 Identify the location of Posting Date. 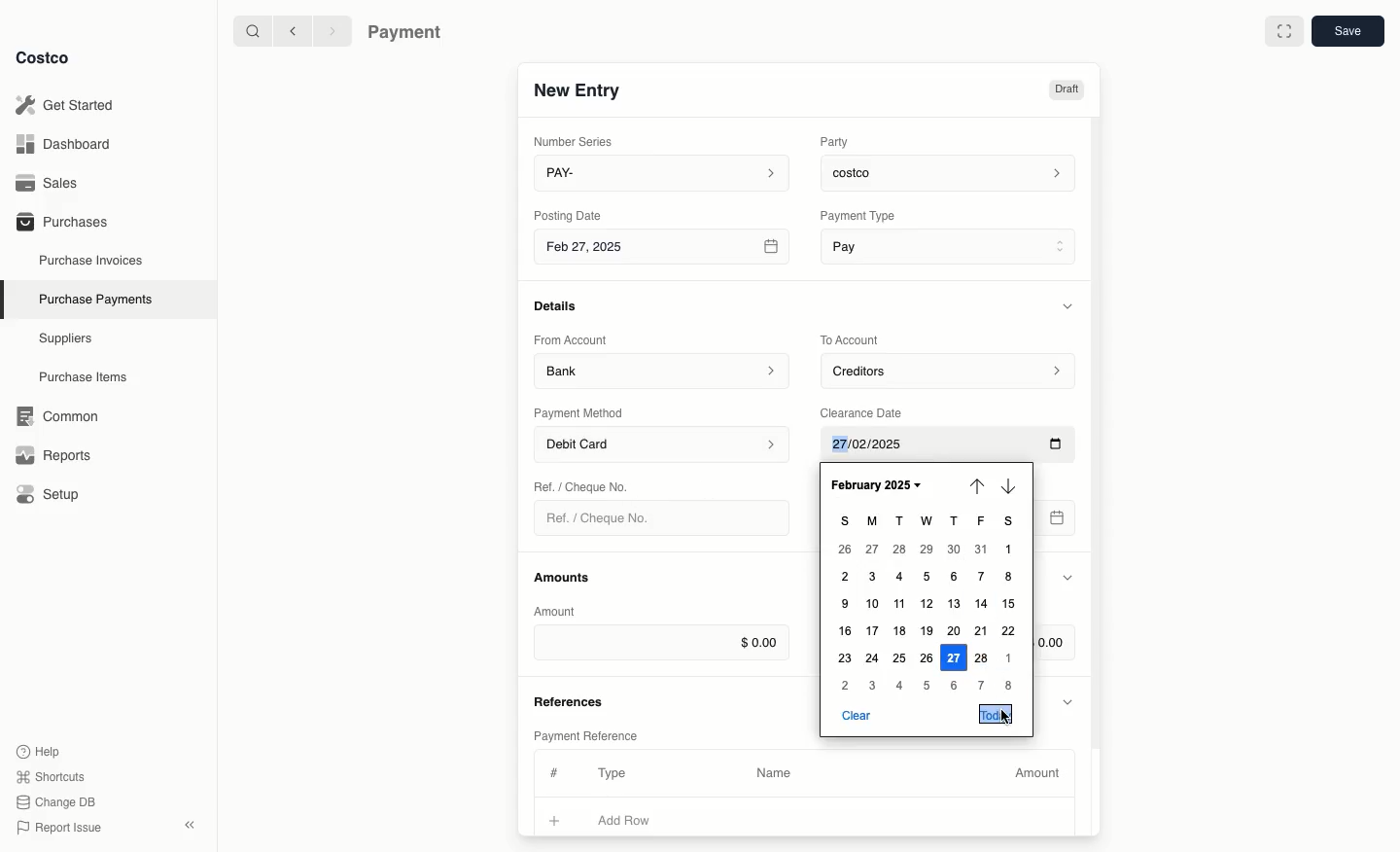
(570, 214).